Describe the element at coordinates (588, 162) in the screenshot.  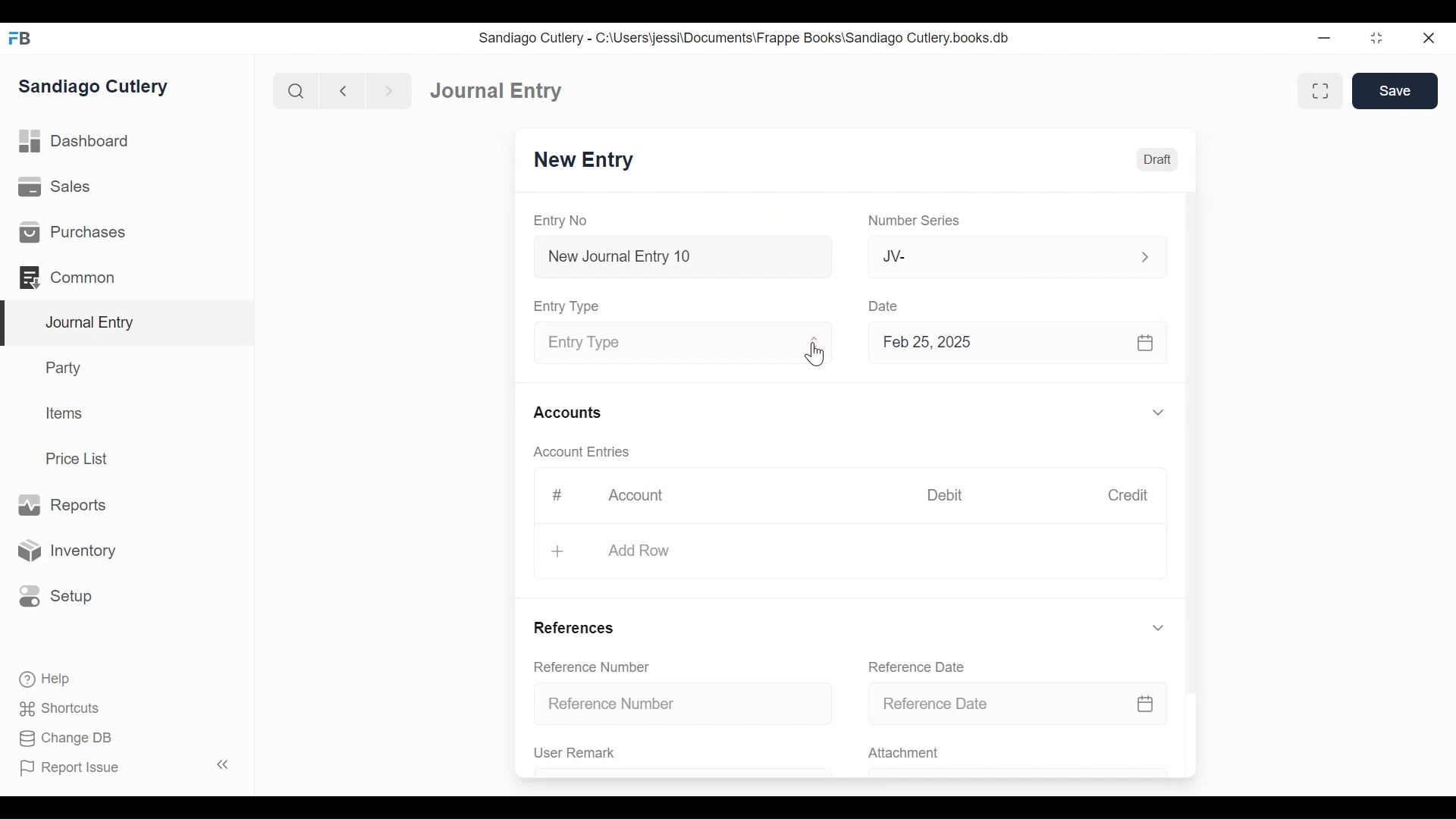
I see `New Entry` at that location.